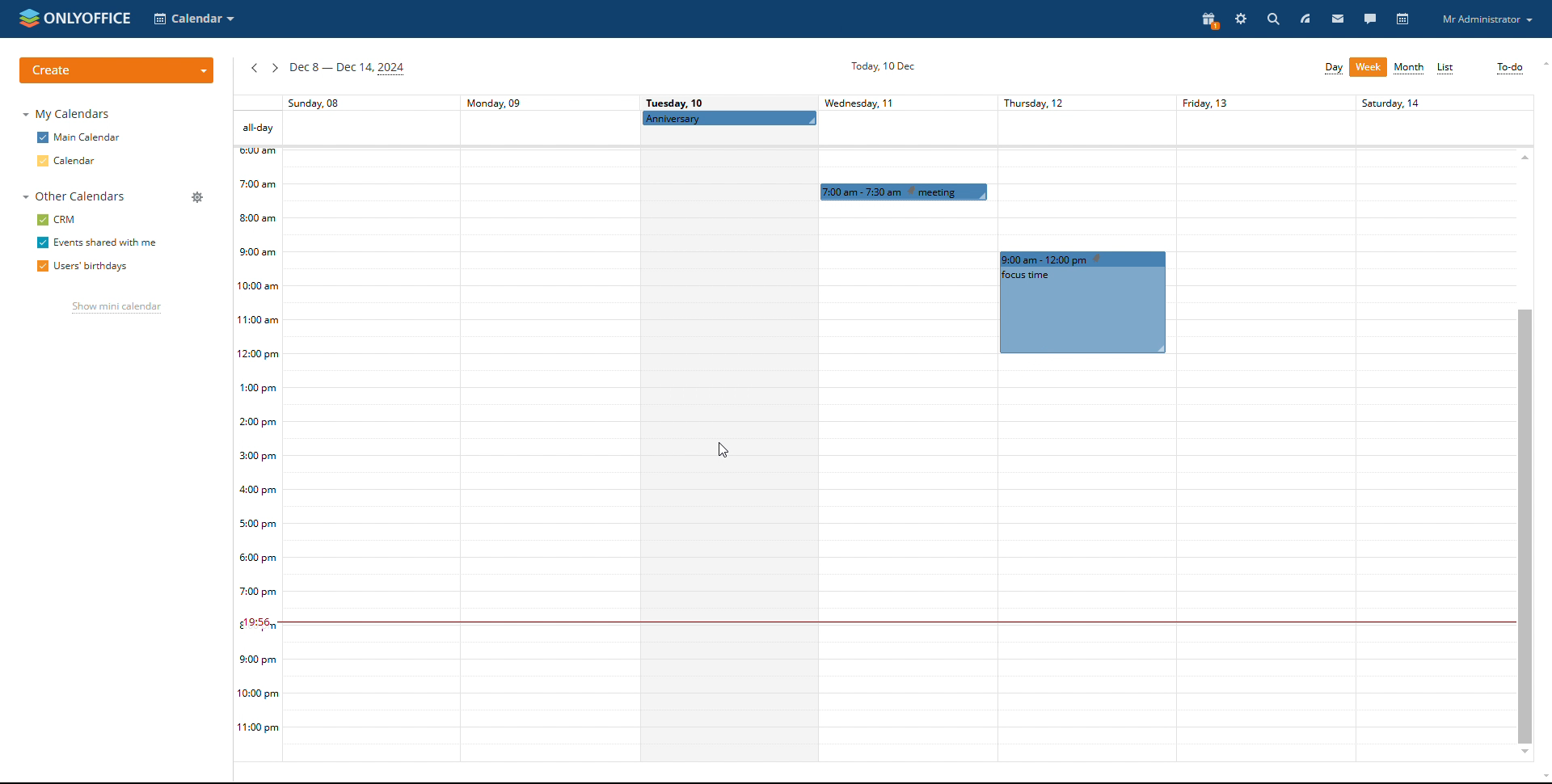 Image resolution: width=1552 pixels, height=784 pixels. What do you see at coordinates (1076, 102) in the screenshot?
I see `Thursday, 12` at bounding box center [1076, 102].